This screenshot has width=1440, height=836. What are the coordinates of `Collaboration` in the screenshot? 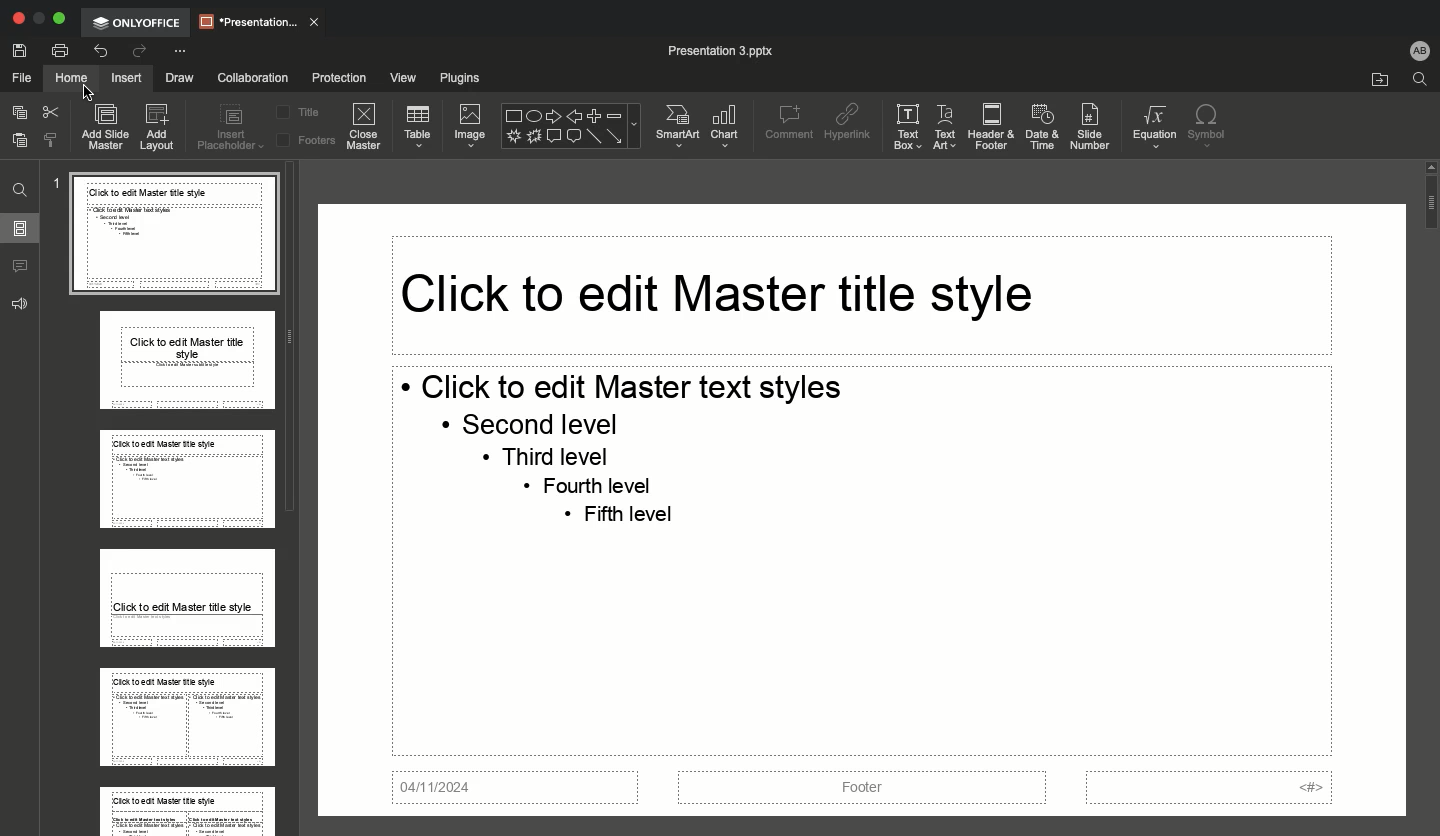 It's located at (251, 77).